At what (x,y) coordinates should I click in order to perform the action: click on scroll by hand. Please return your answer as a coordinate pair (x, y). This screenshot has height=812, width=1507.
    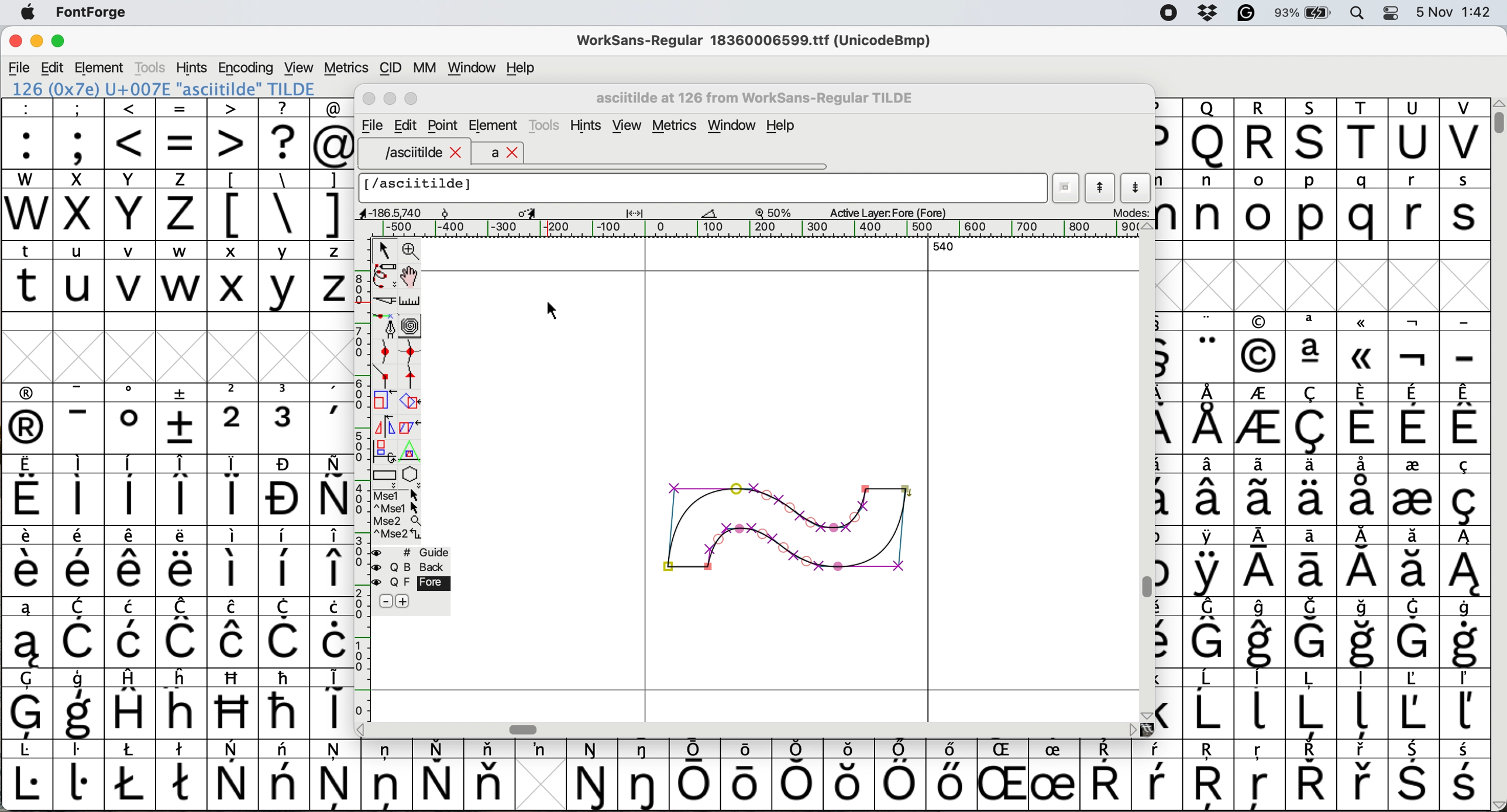
    Looking at the image, I should click on (410, 277).